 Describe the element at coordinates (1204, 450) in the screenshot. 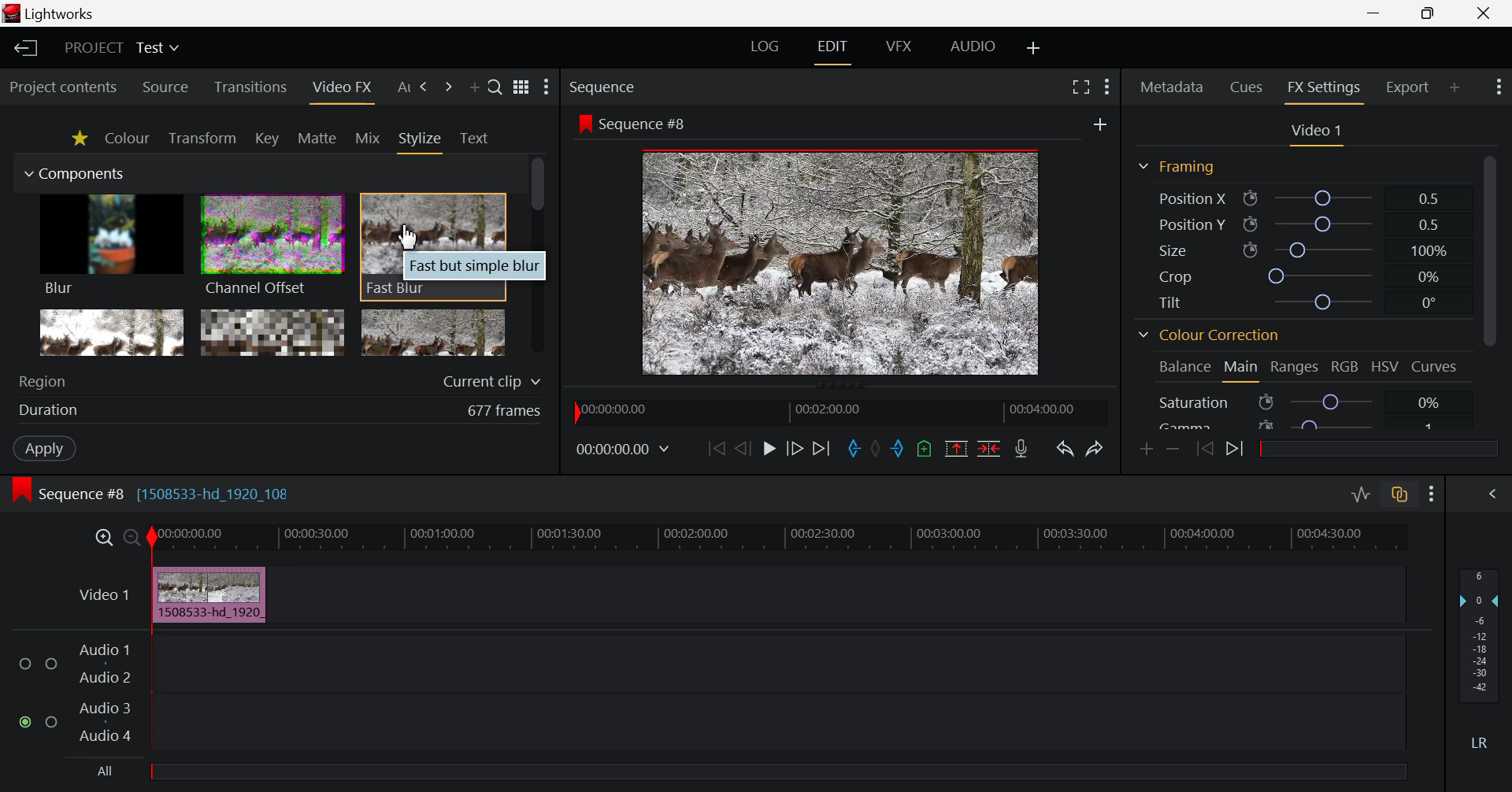

I see `Previous keyframe` at that location.